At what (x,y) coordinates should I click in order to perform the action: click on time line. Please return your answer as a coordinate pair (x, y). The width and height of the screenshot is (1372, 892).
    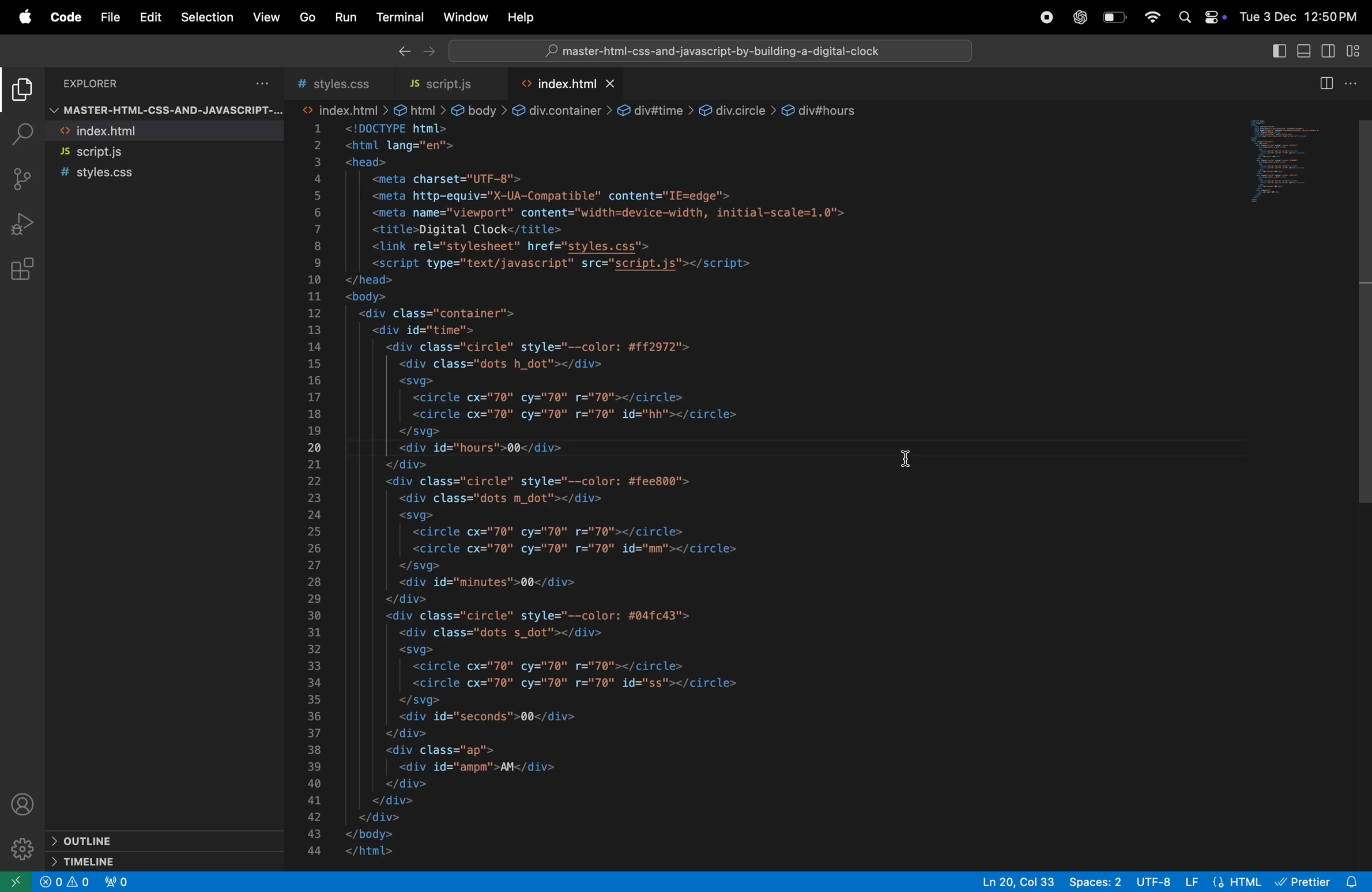
    Looking at the image, I should click on (142, 861).